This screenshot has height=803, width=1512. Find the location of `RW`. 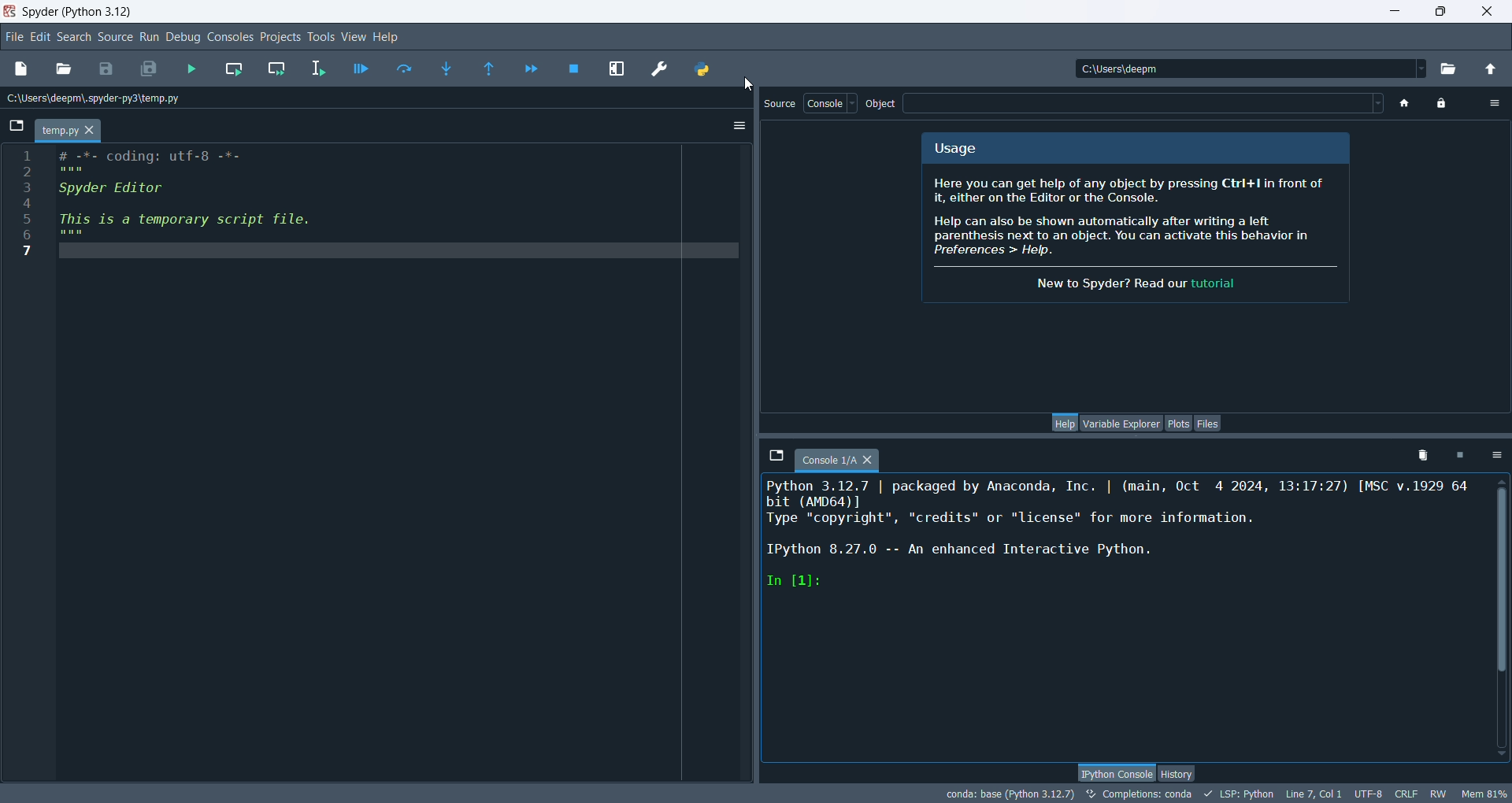

RW is located at coordinates (1439, 794).